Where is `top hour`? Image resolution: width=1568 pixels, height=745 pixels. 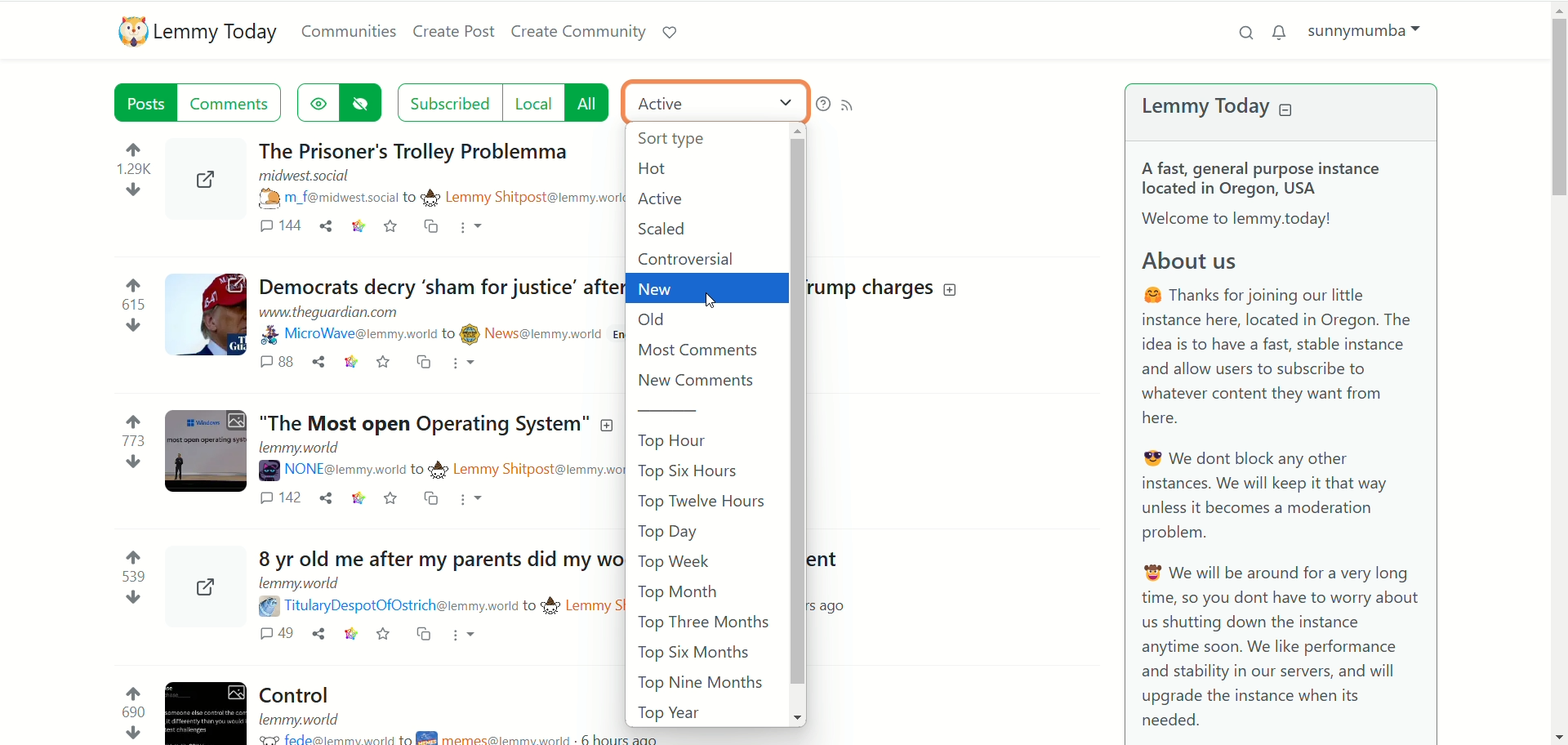
top hour is located at coordinates (680, 442).